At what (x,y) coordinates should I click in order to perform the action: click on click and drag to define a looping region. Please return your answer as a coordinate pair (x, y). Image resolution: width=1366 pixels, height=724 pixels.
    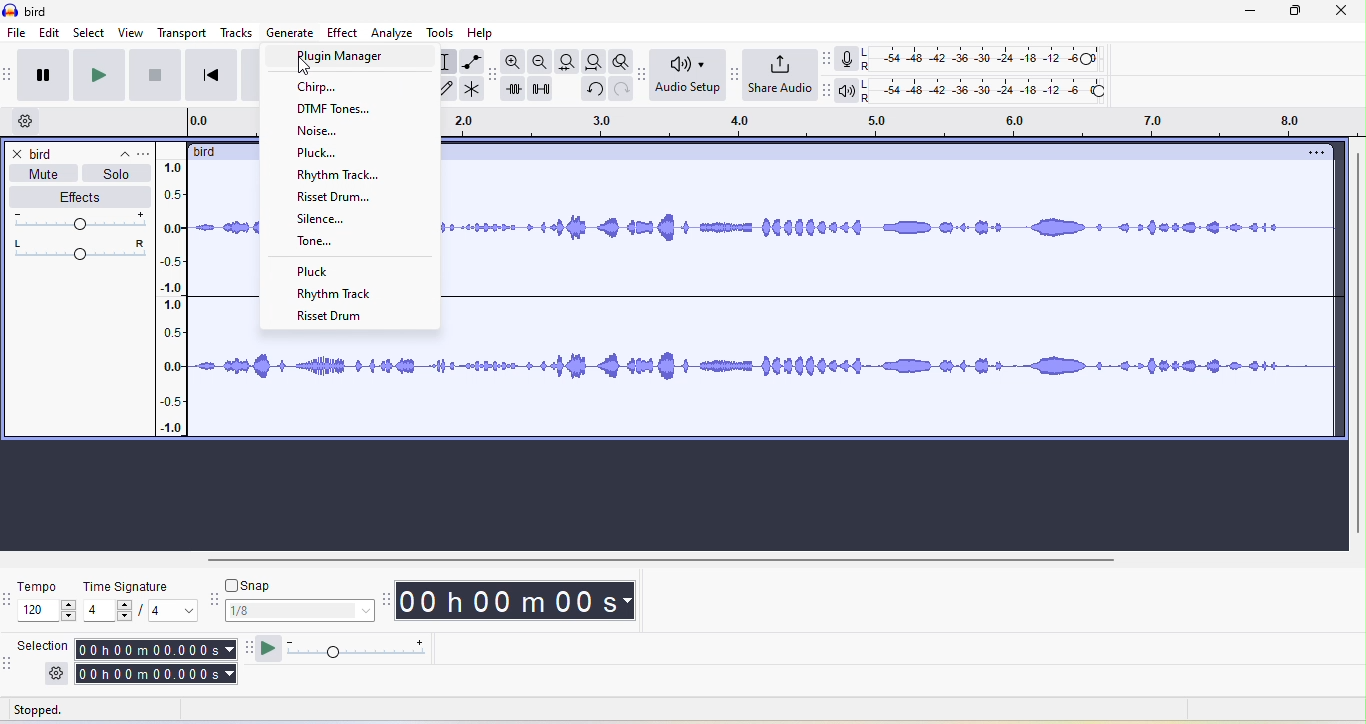
    Looking at the image, I should click on (899, 125).